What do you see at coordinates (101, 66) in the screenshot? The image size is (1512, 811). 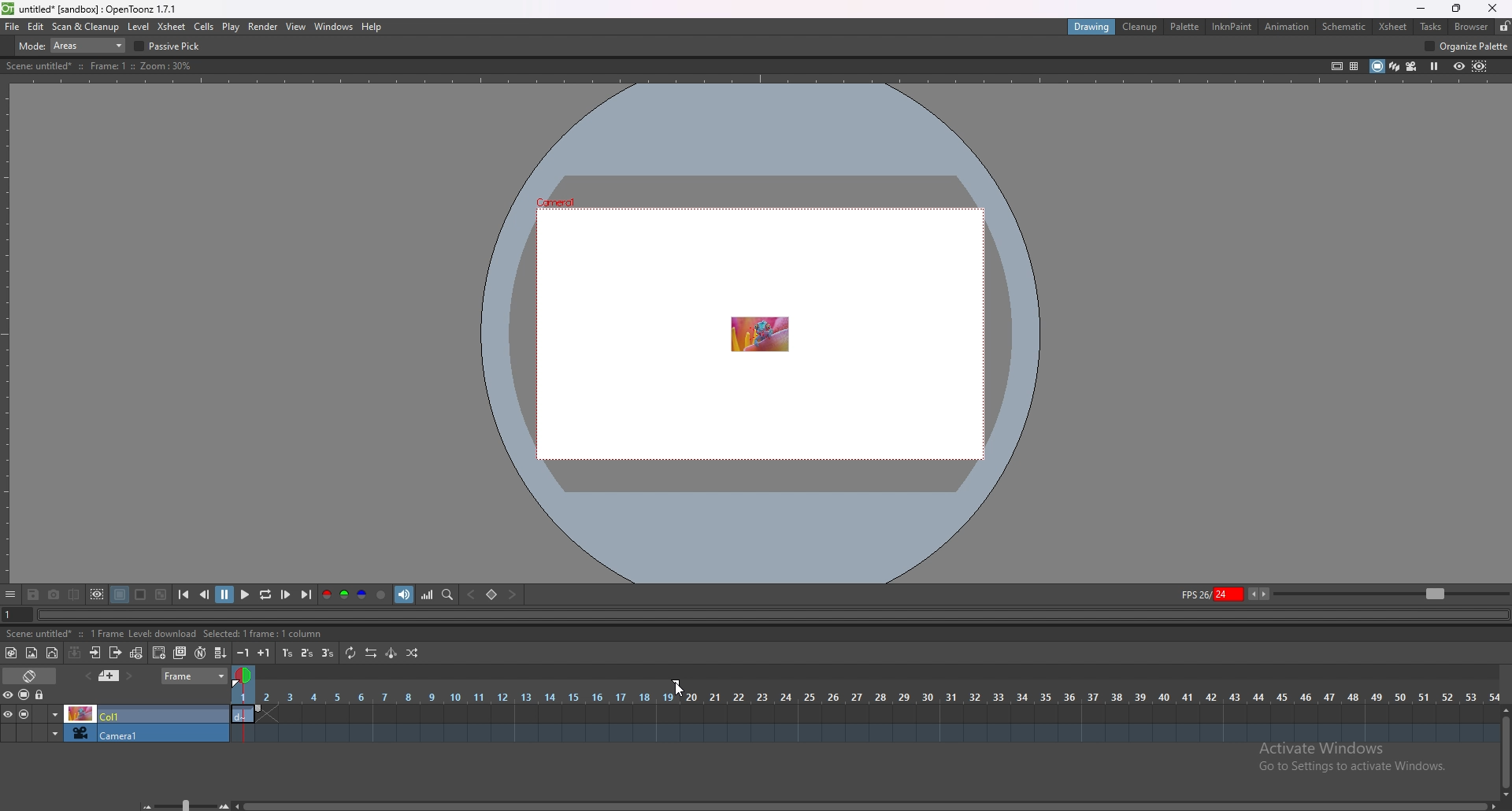 I see `description` at bounding box center [101, 66].